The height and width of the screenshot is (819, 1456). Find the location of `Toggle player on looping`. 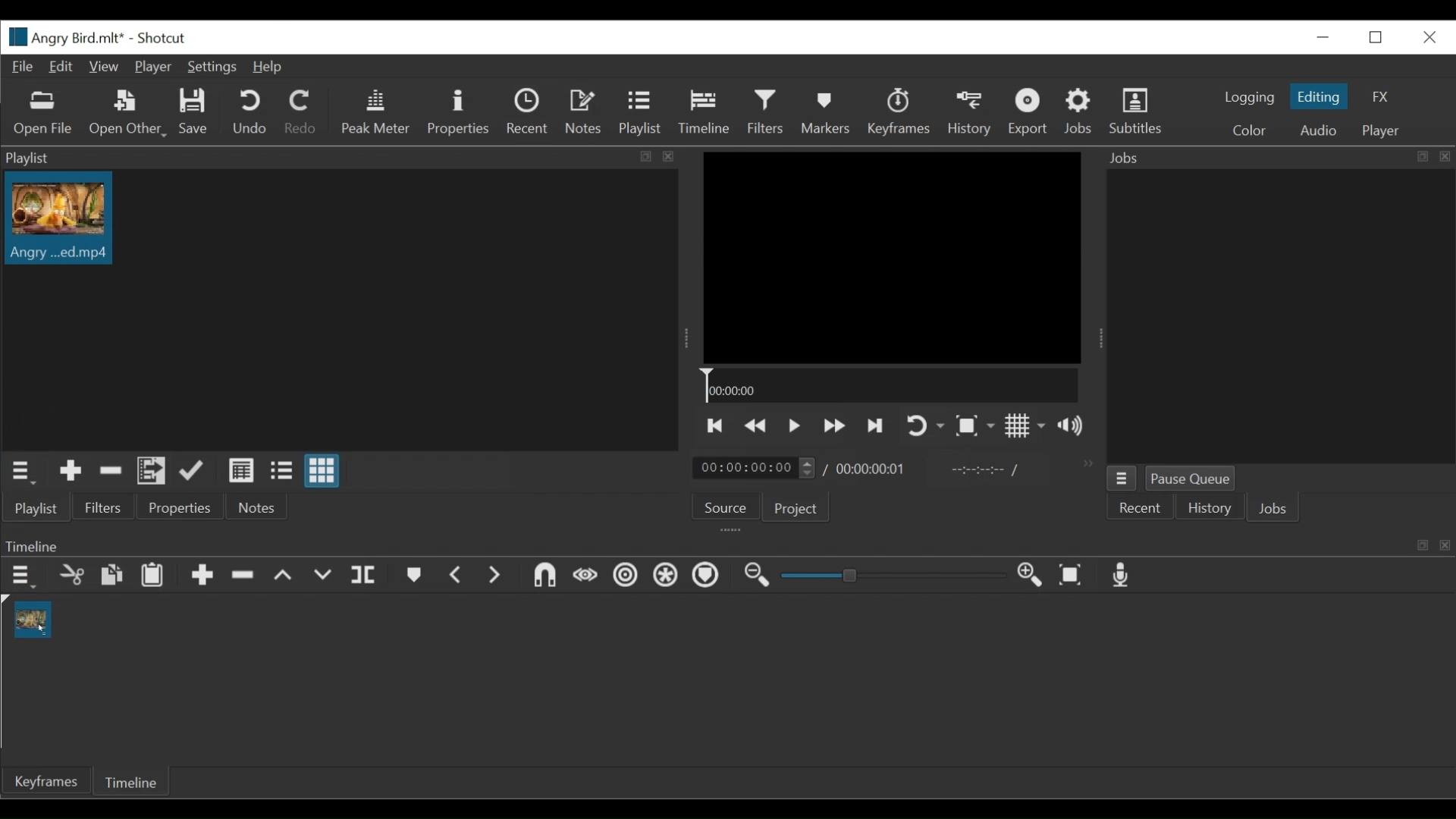

Toggle player on looping is located at coordinates (924, 427).